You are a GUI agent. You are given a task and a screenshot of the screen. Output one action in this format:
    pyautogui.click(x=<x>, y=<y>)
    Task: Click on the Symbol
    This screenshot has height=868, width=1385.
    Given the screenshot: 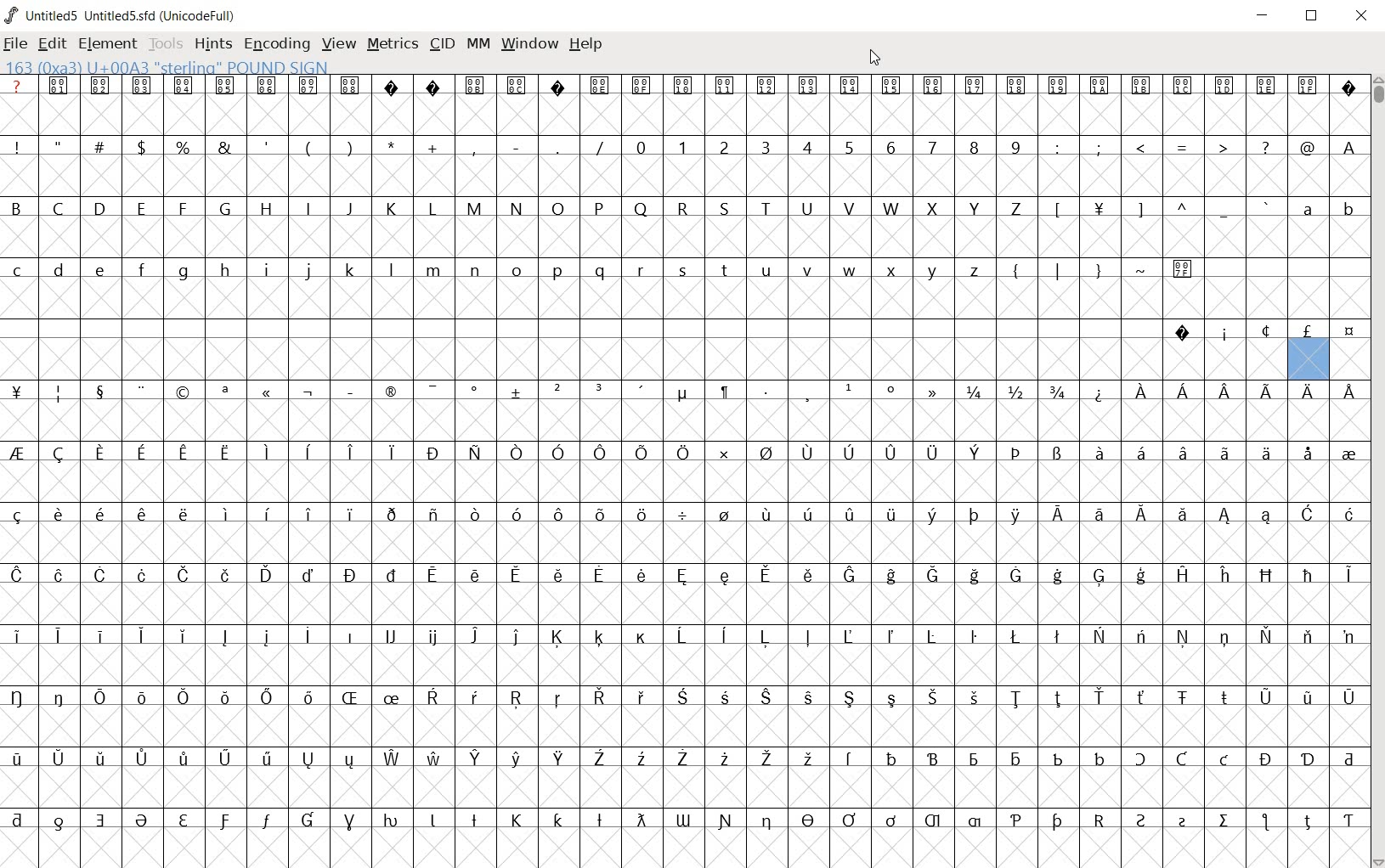 What is the action you would take?
    pyautogui.click(x=1100, y=696)
    